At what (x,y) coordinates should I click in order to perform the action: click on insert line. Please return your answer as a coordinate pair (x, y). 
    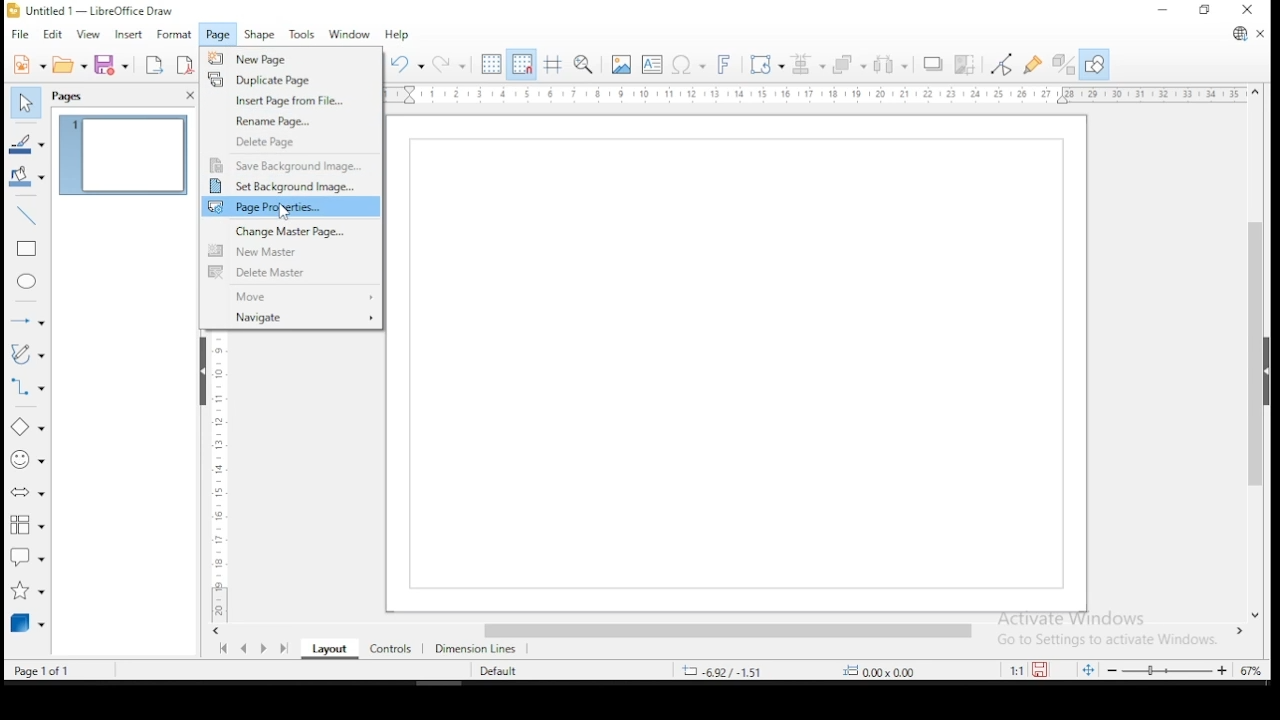
    Looking at the image, I should click on (28, 216).